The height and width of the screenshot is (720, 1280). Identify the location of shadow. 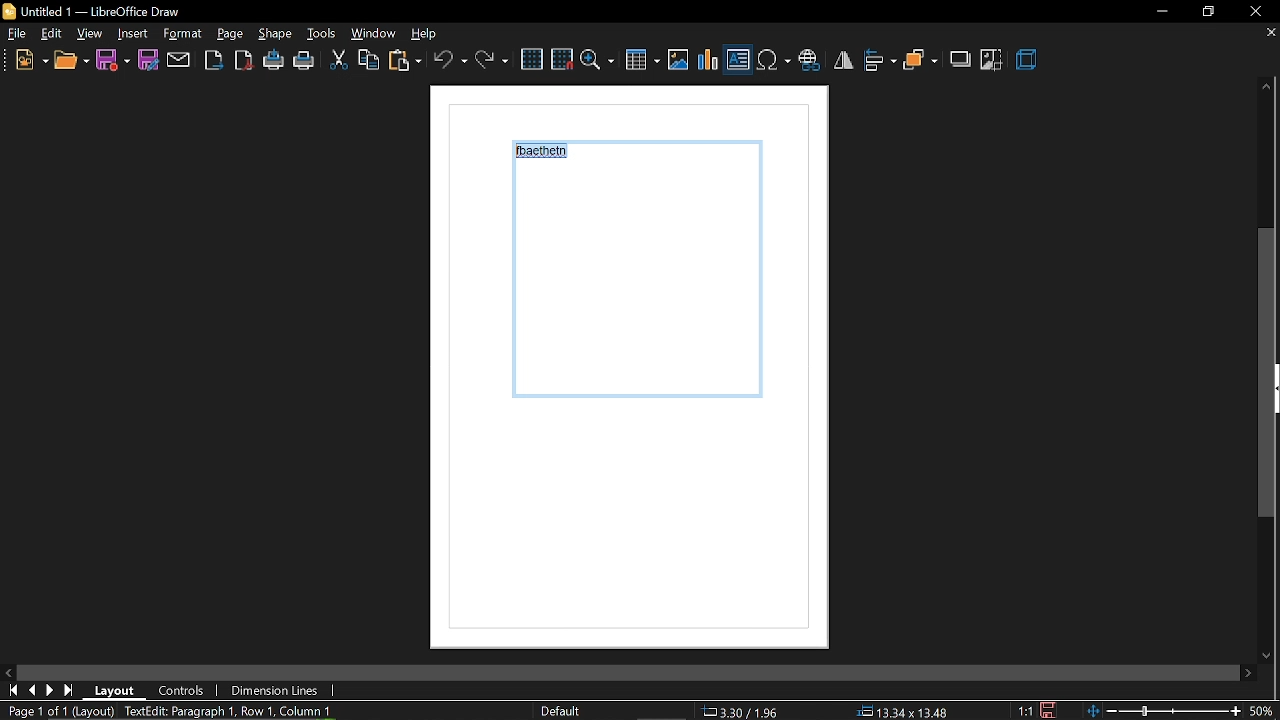
(961, 60).